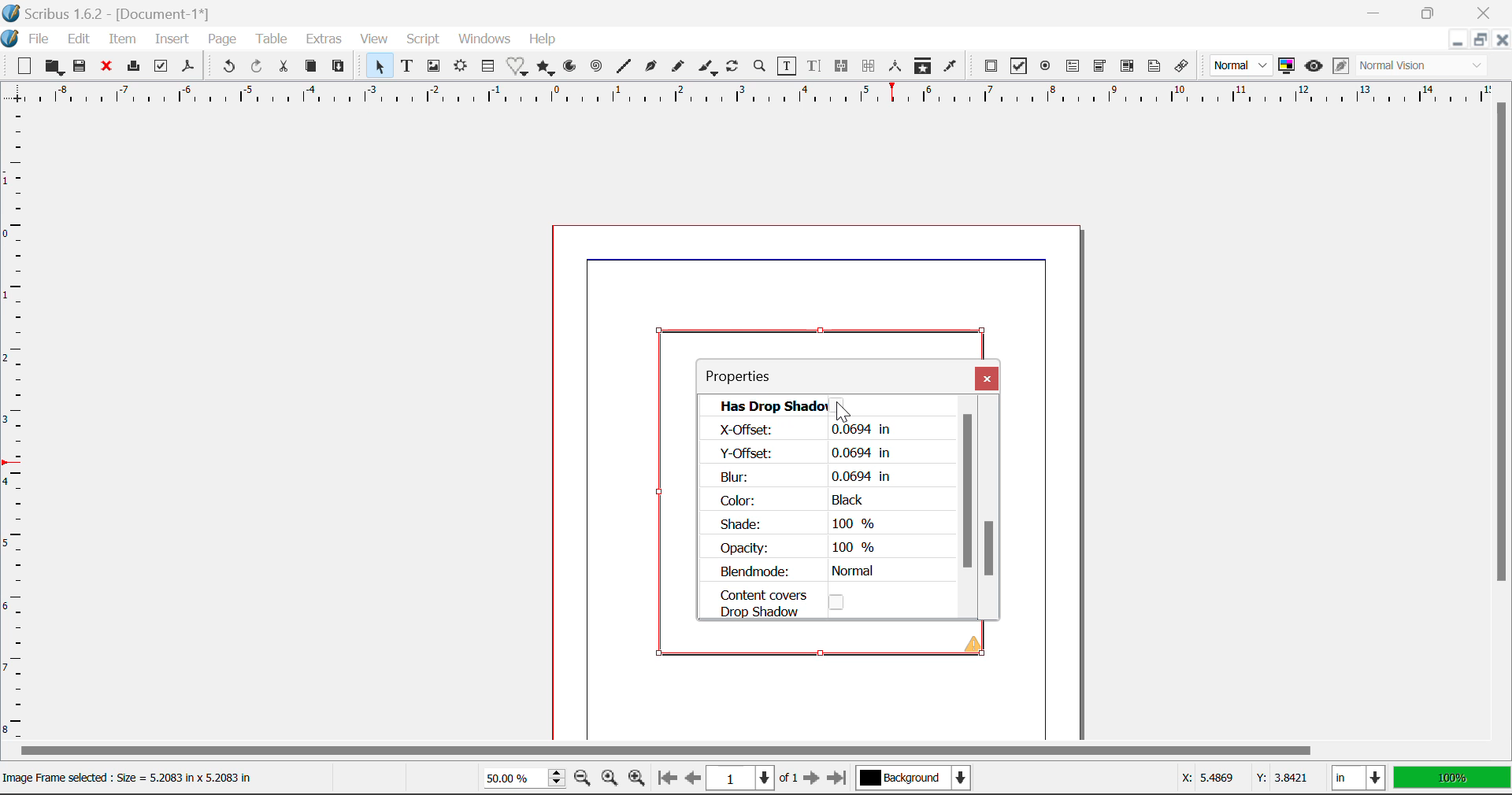 Image resolution: width=1512 pixels, height=795 pixels. I want to click on Normal, so click(1242, 65).